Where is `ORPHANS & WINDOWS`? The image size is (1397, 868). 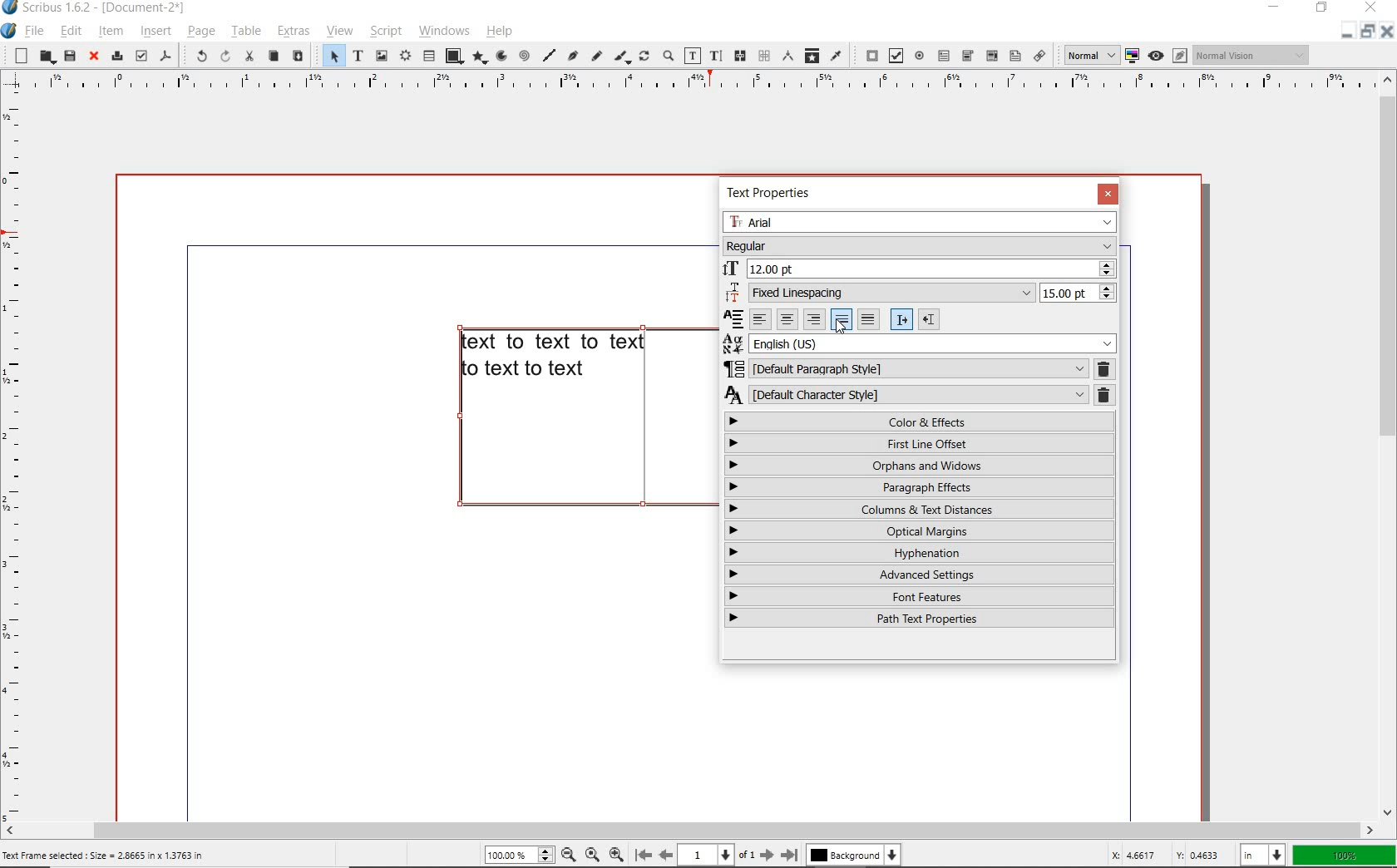 ORPHANS & WINDOWS is located at coordinates (919, 465).